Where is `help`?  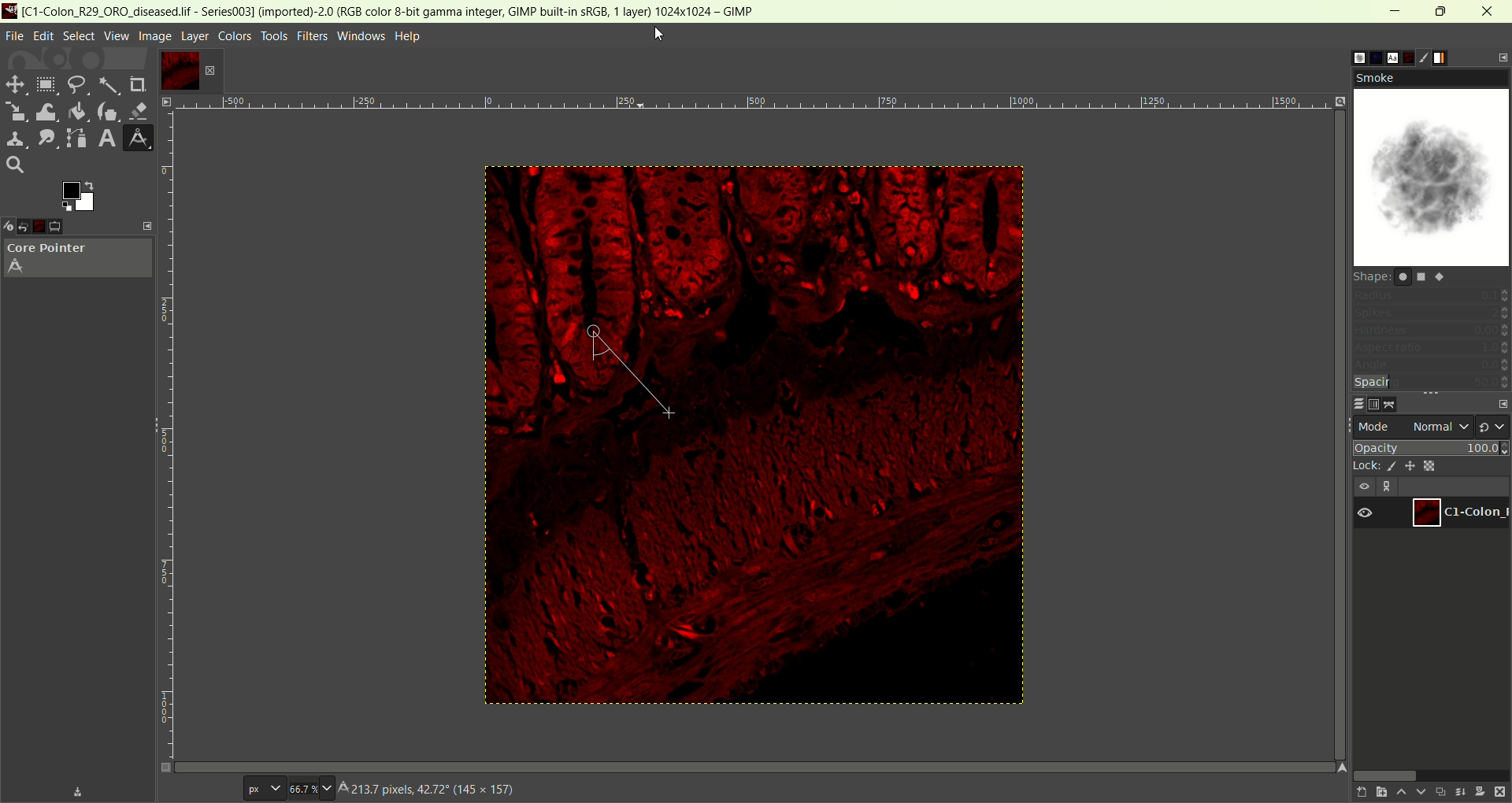
help is located at coordinates (409, 37).